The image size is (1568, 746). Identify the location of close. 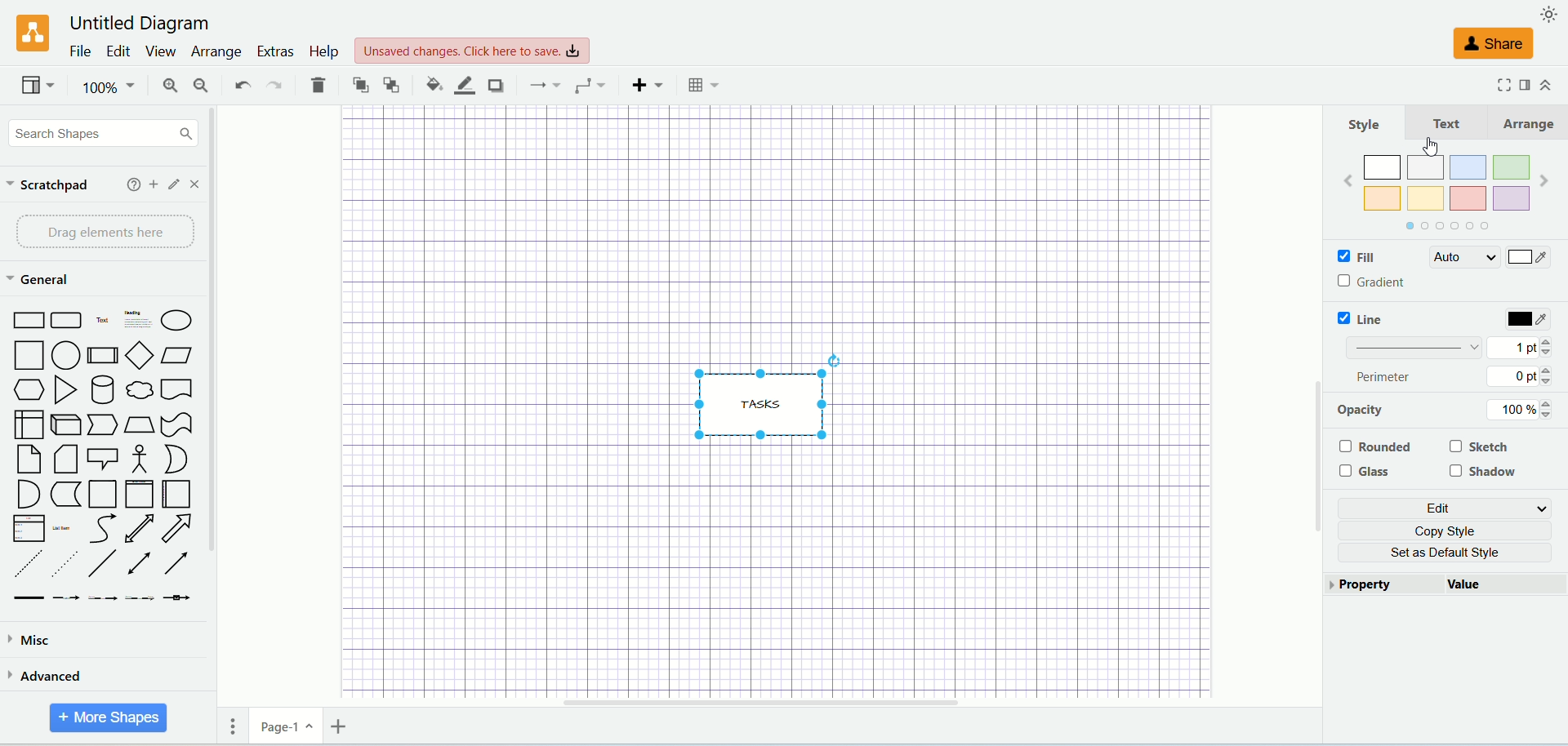
(198, 184).